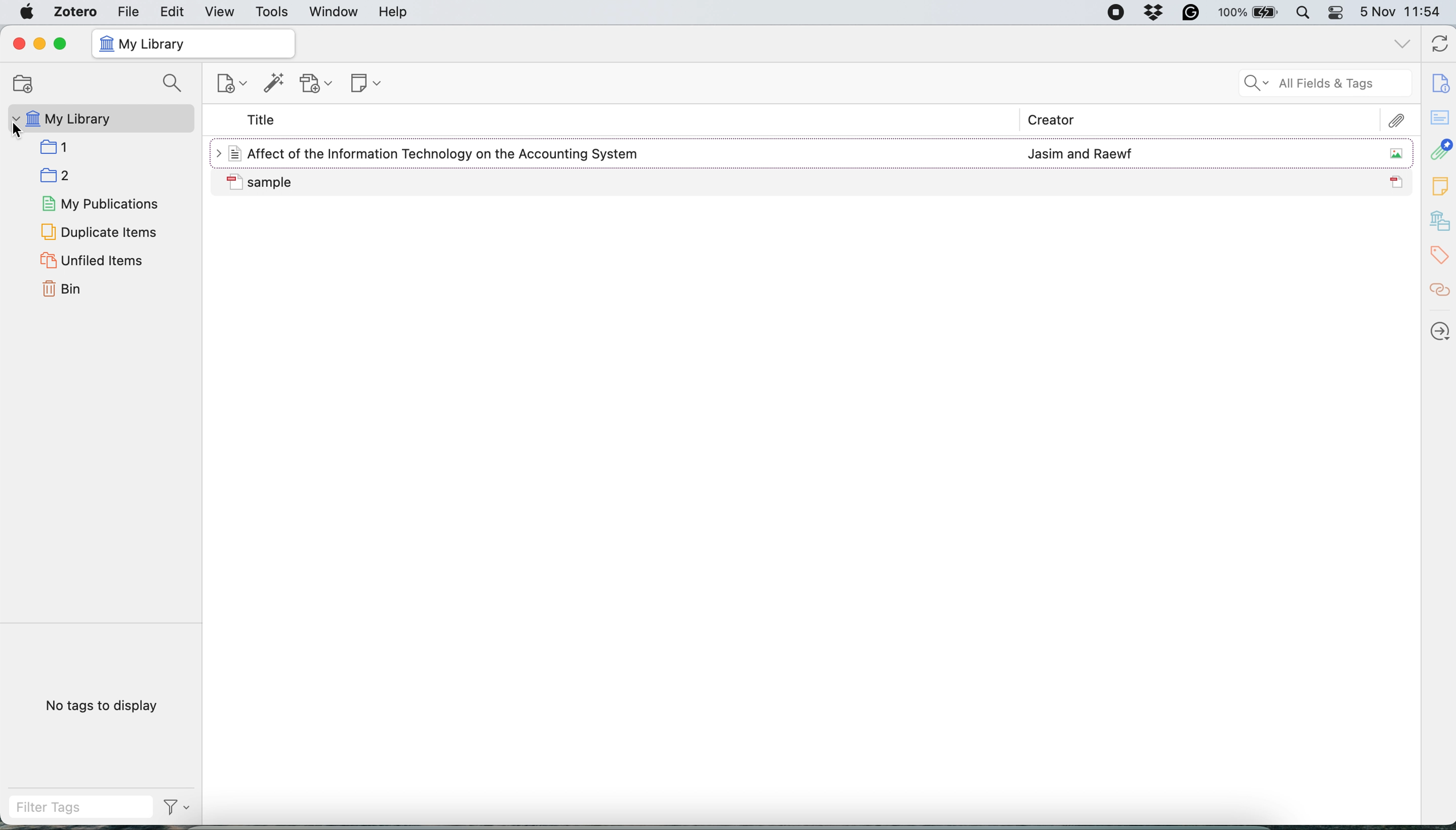 This screenshot has width=1456, height=830. Describe the element at coordinates (1437, 327) in the screenshot. I see `locate` at that location.